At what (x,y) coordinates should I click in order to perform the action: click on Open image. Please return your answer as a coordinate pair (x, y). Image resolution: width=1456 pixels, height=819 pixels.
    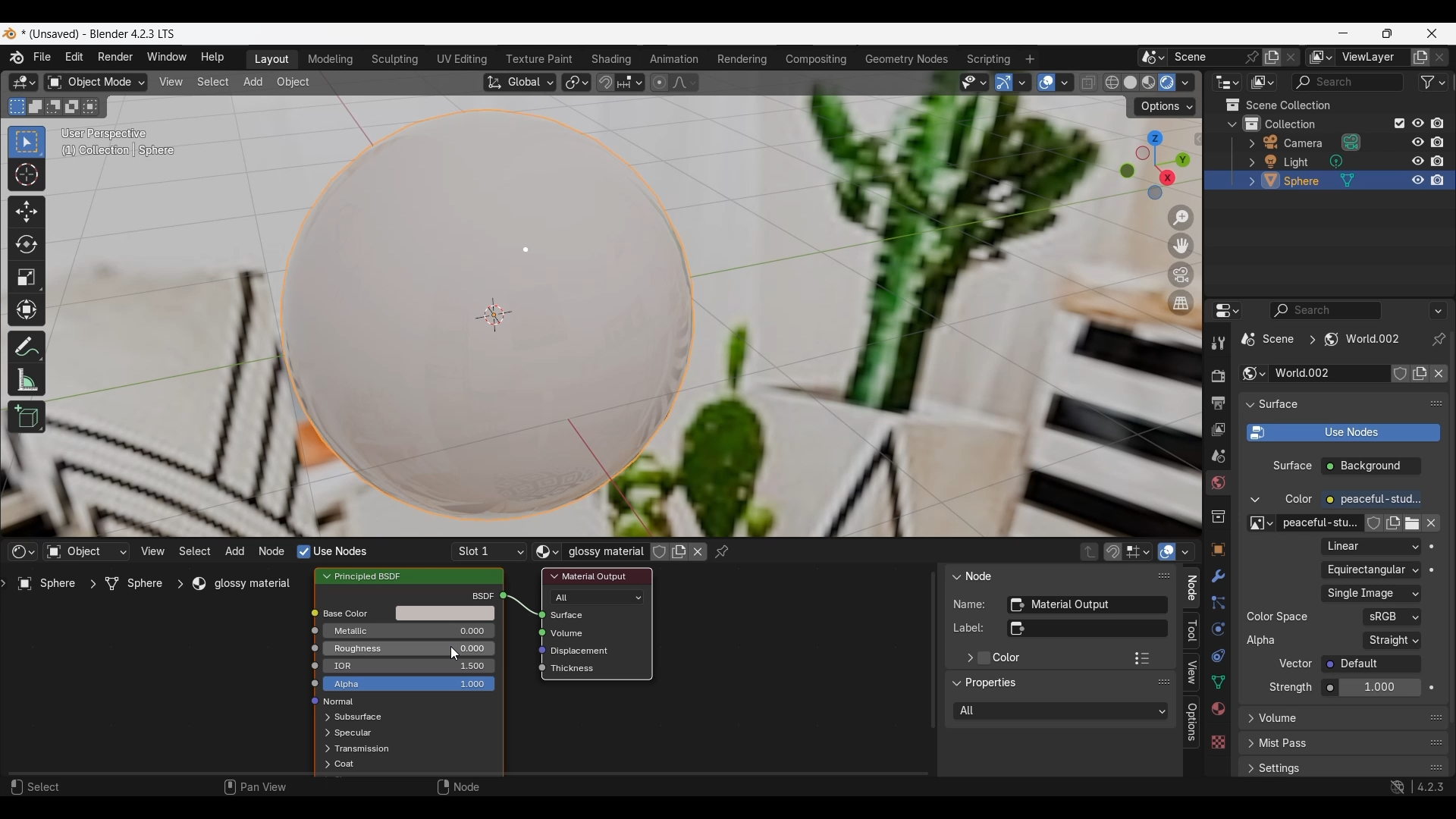
    Looking at the image, I should click on (1411, 523).